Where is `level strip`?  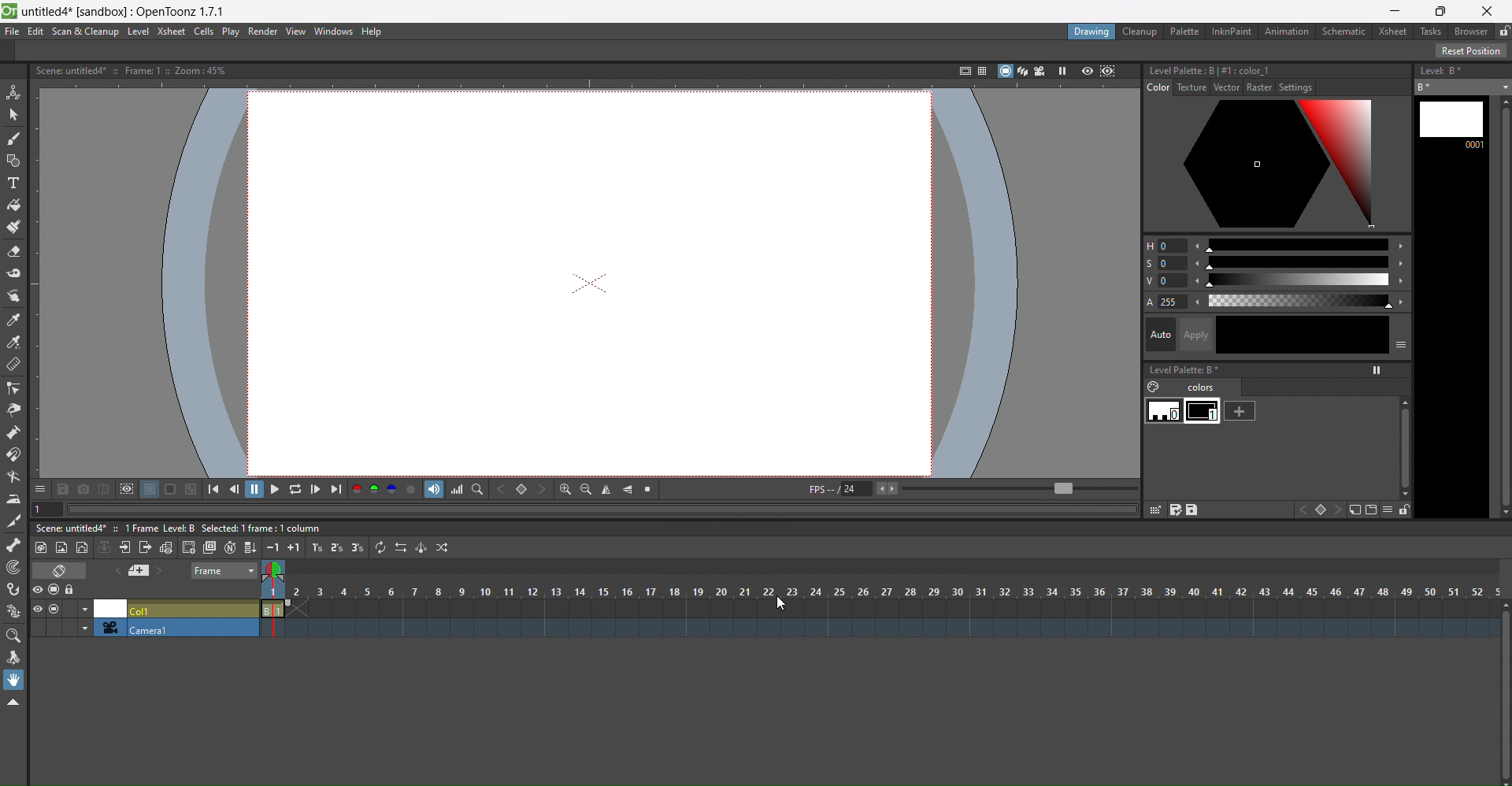 level strip is located at coordinates (1443, 70).